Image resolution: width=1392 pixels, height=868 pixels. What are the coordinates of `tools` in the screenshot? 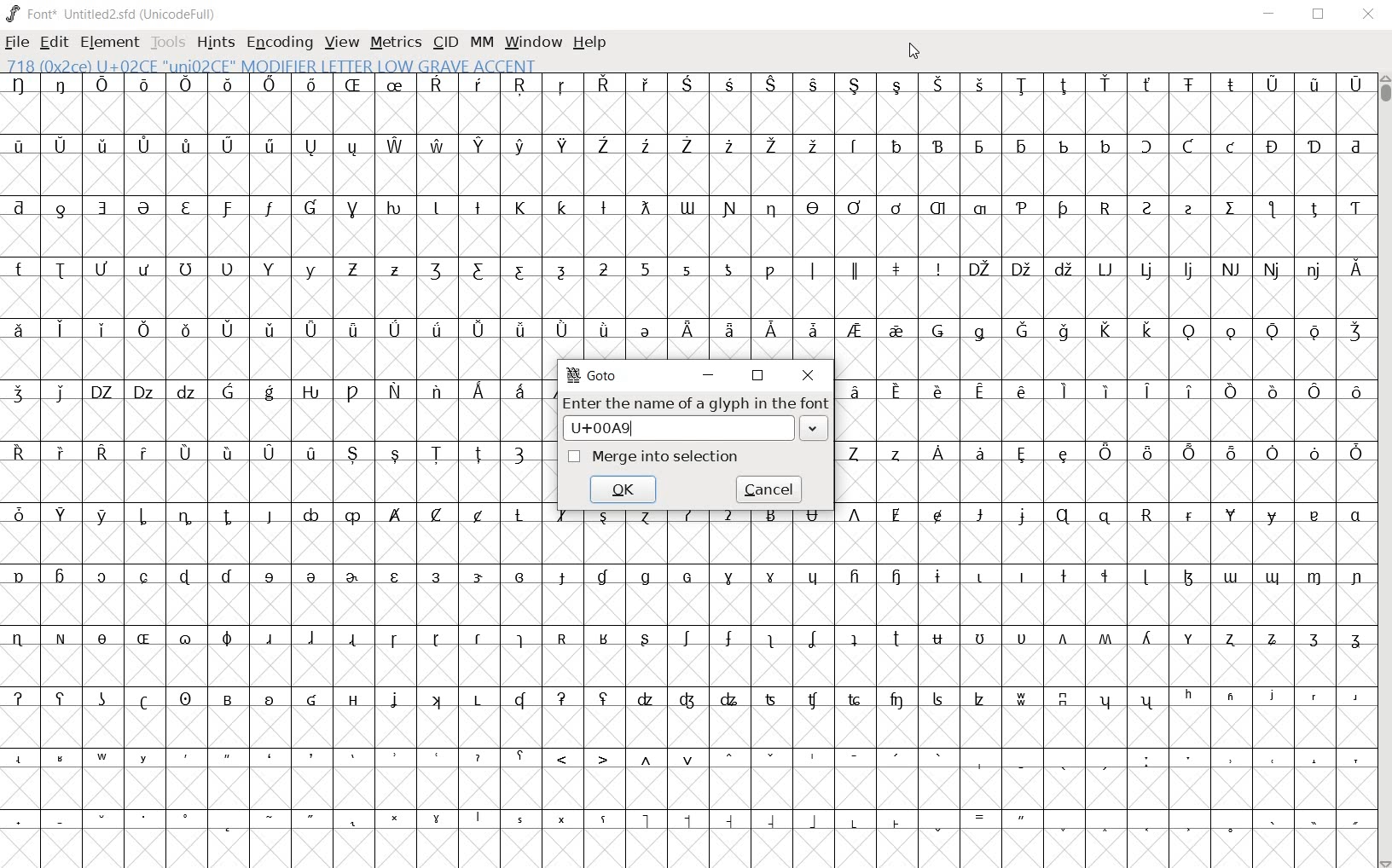 It's located at (170, 44).